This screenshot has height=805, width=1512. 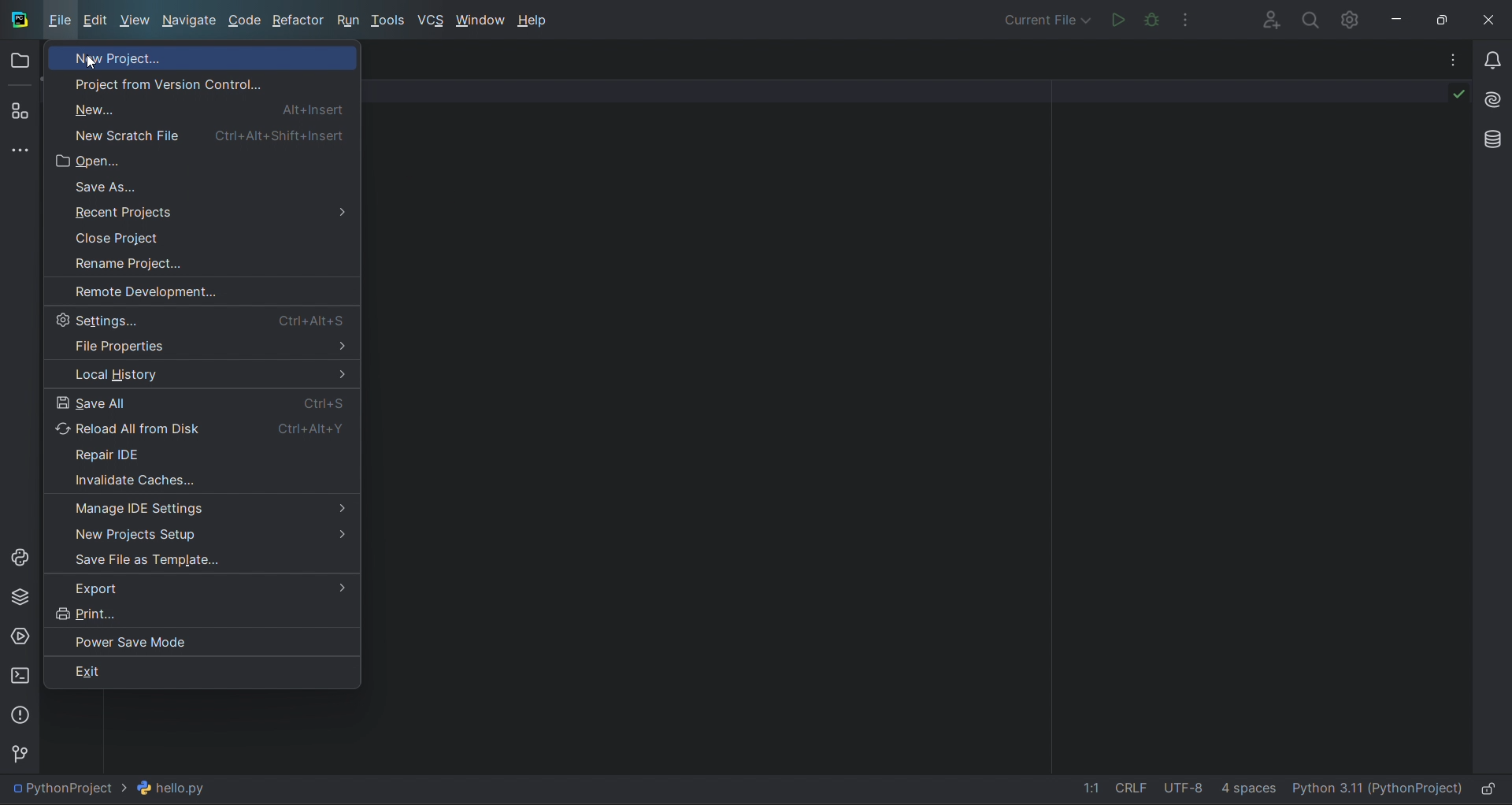 I want to click on remote dev, so click(x=198, y=288).